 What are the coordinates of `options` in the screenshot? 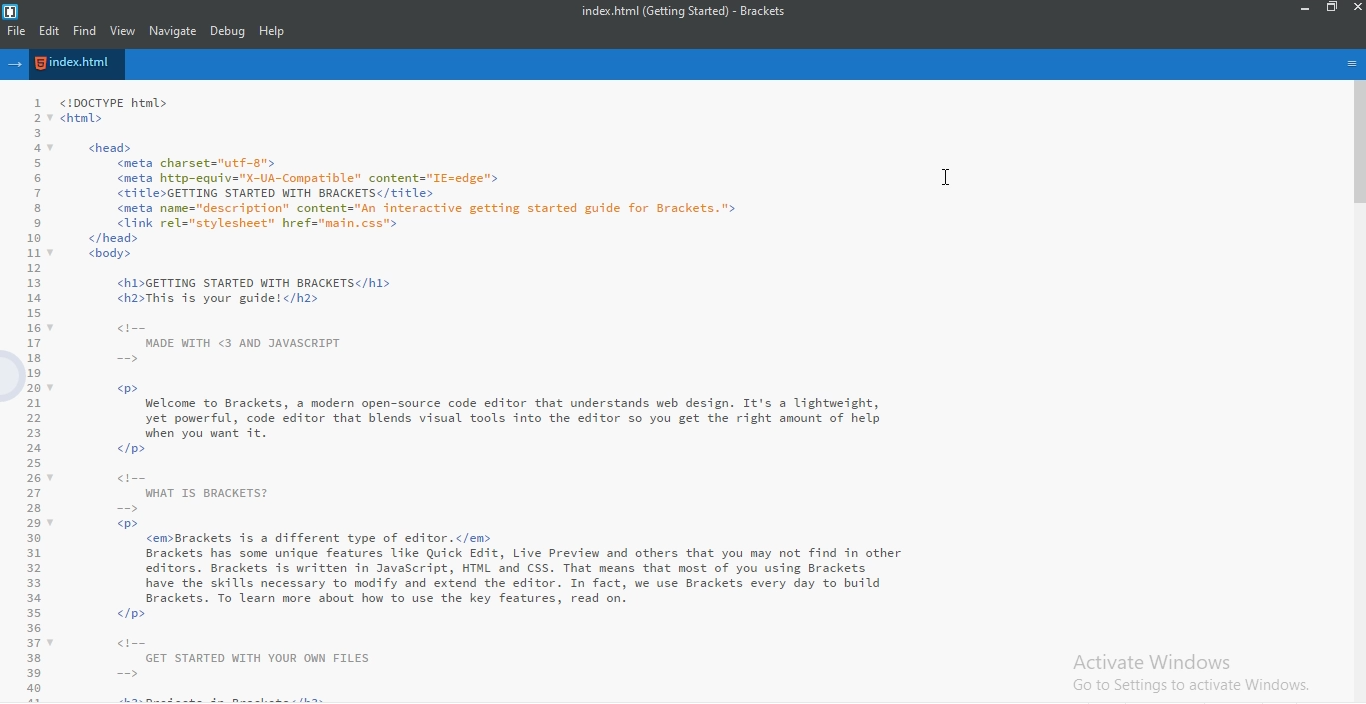 It's located at (1352, 64).